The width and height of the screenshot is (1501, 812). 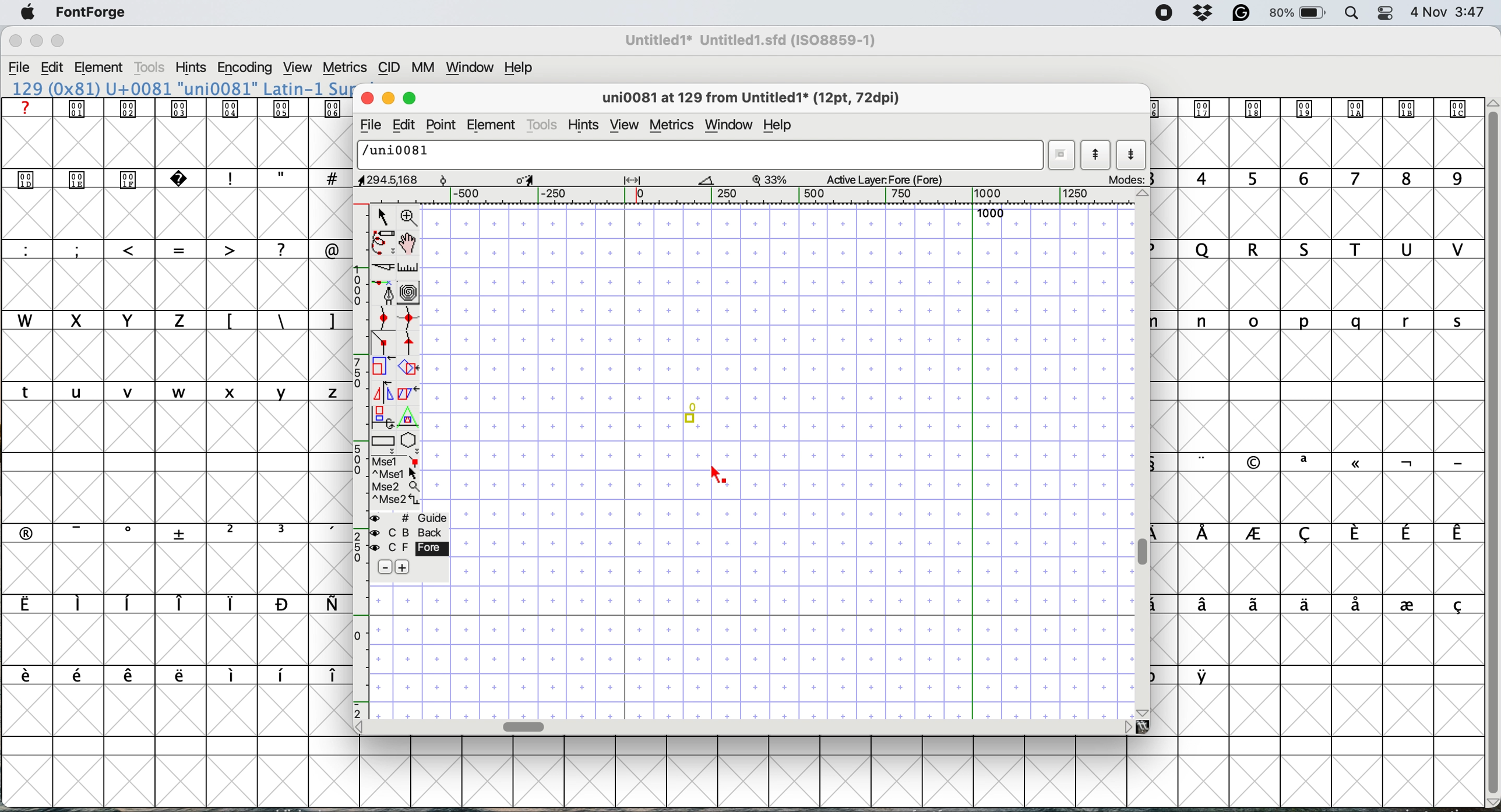 What do you see at coordinates (408, 415) in the screenshot?
I see `perform a perspective transformation on the selection` at bounding box center [408, 415].